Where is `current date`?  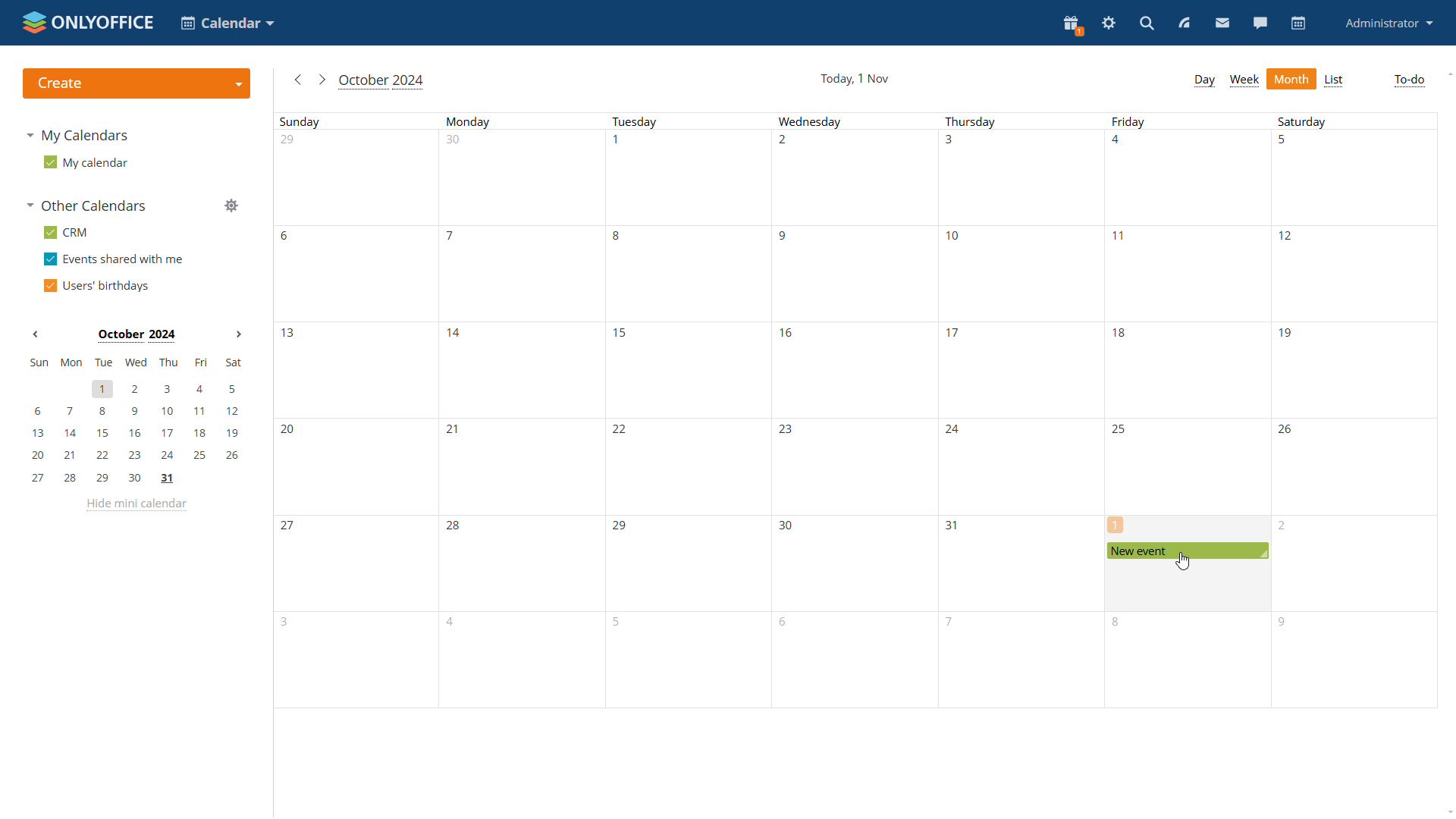 current date is located at coordinates (853, 78).